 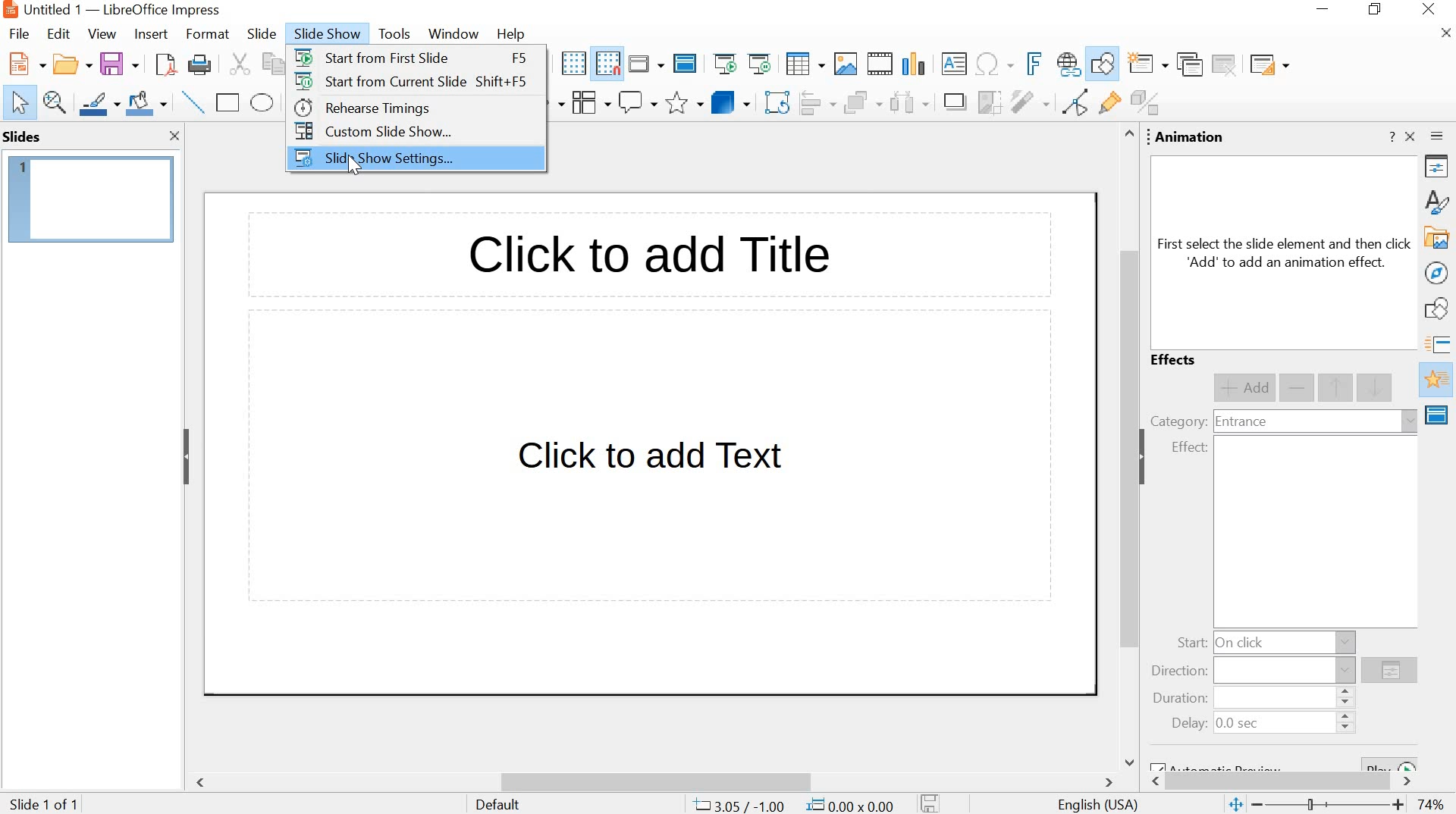 I want to click on effect, so click(x=1189, y=448).